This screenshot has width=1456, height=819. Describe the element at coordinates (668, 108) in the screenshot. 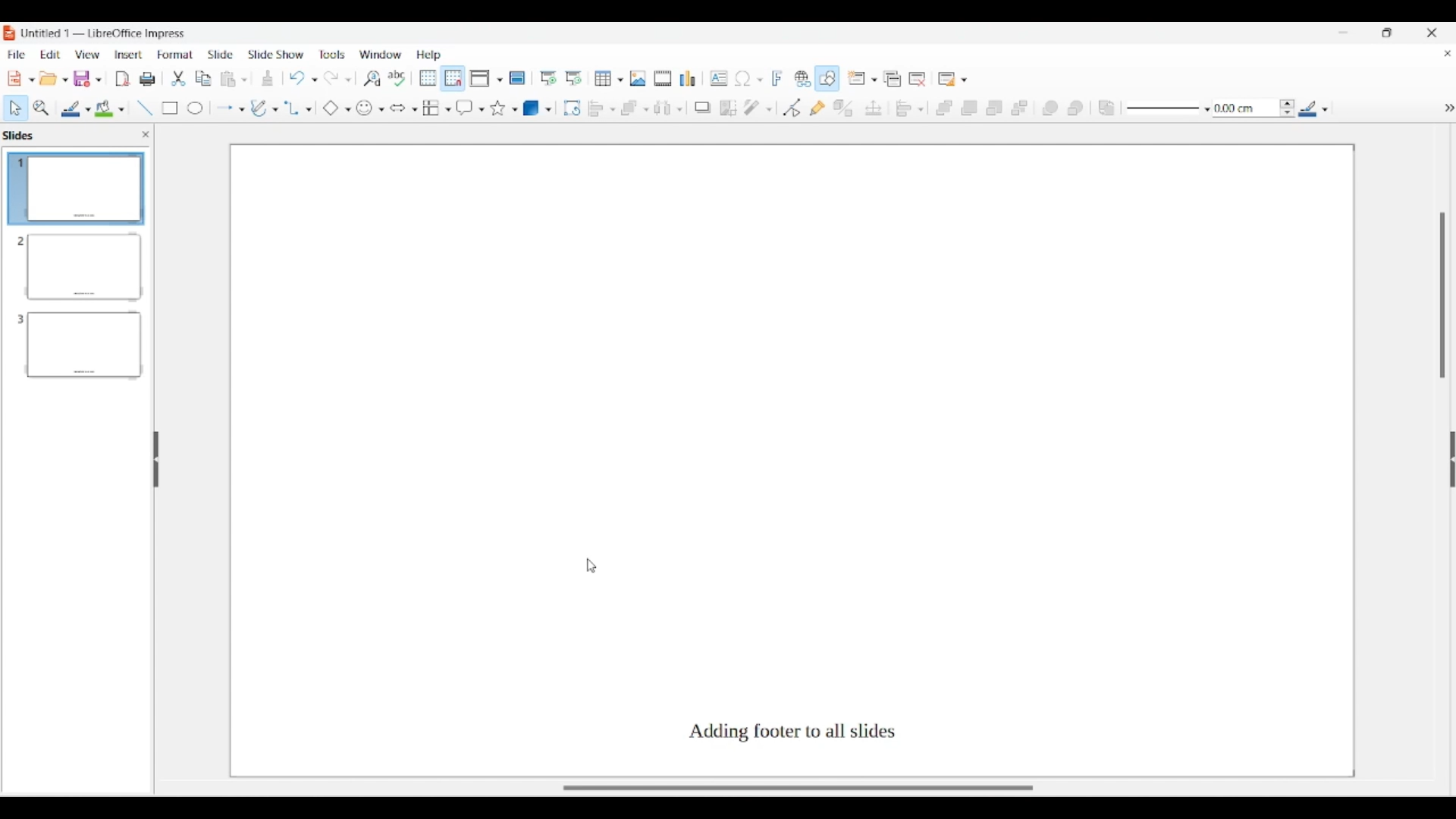

I see `Select at least 3 objects to distribute` at that location.